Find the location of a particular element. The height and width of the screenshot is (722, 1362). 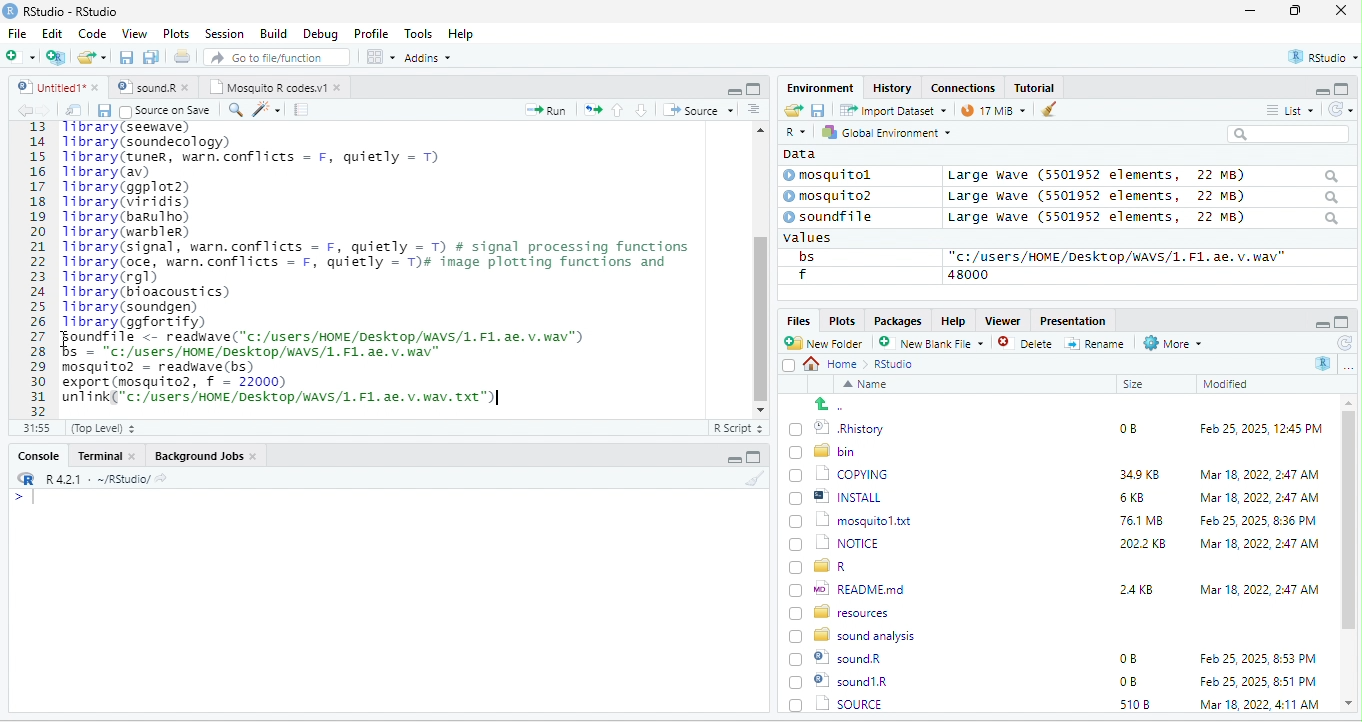

sort is located at coordinates (753, 108).